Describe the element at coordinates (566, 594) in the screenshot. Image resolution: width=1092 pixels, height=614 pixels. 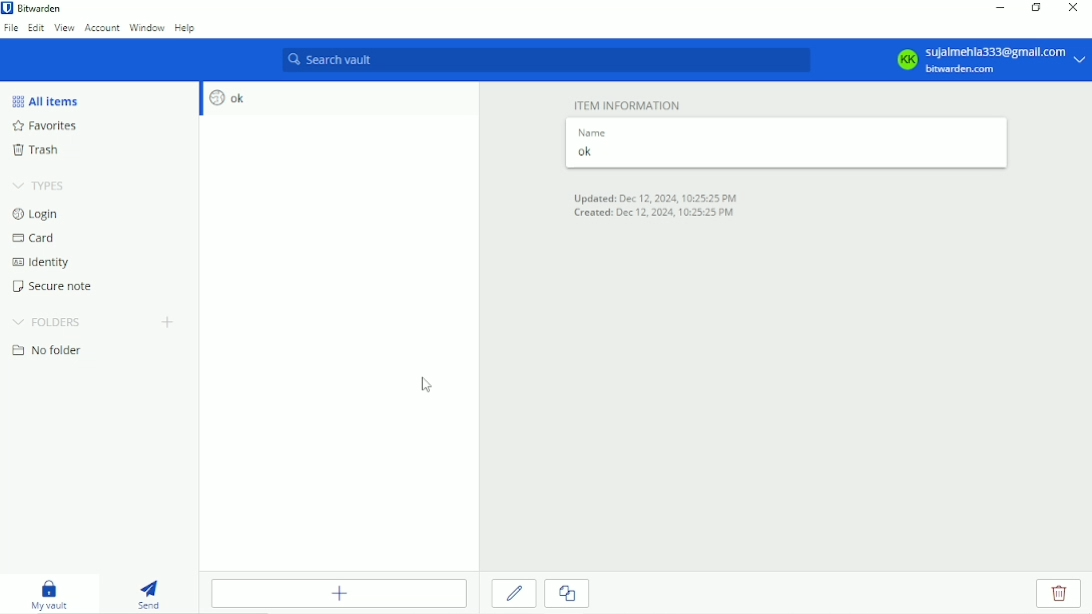
I see `Clone` at that location.